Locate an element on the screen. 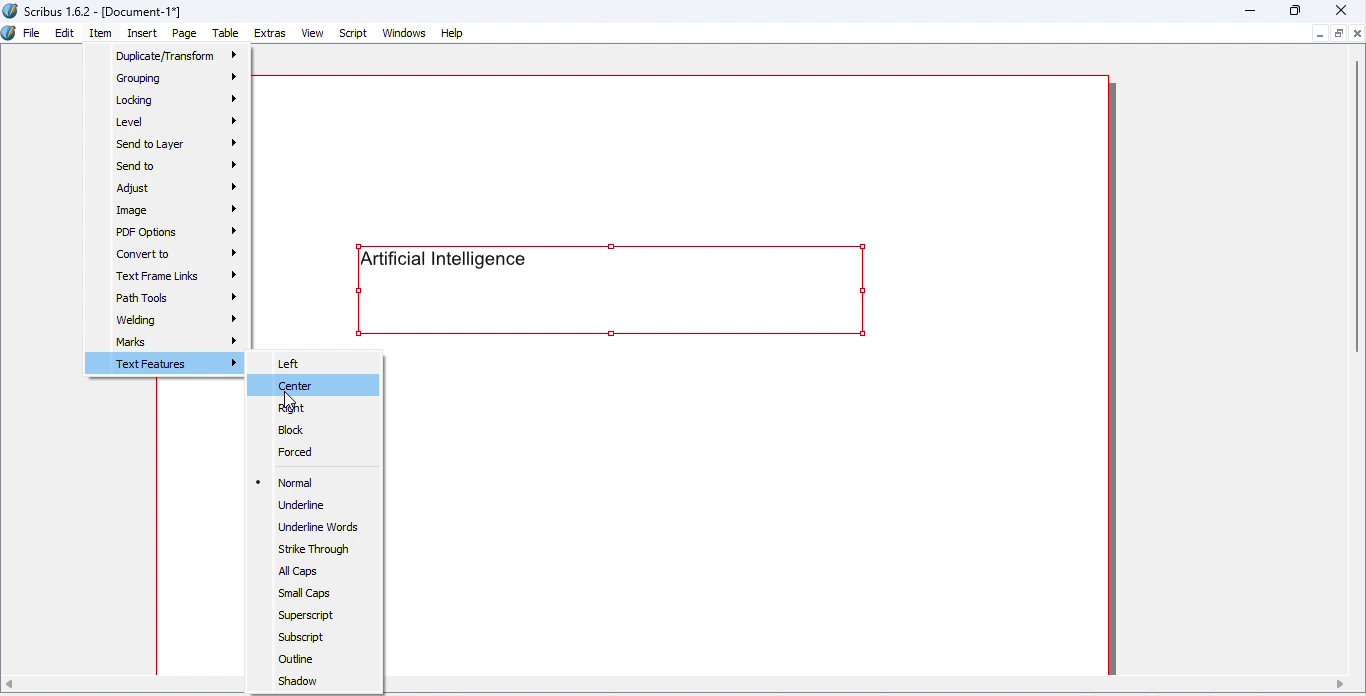  Minimize is located at coordinates (1250, 11).